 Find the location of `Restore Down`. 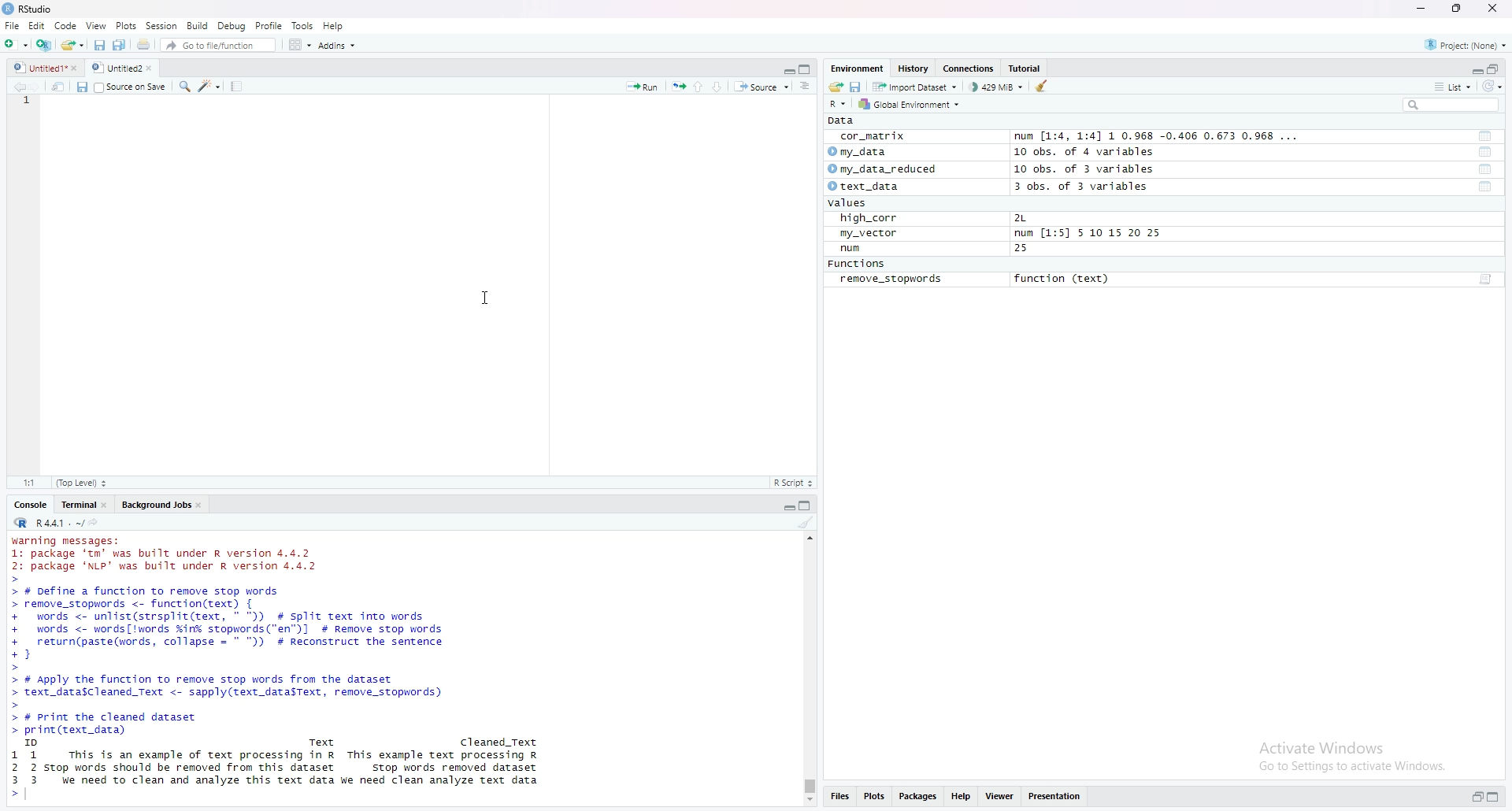

Restore Down is located at coordinates (1457, 8).